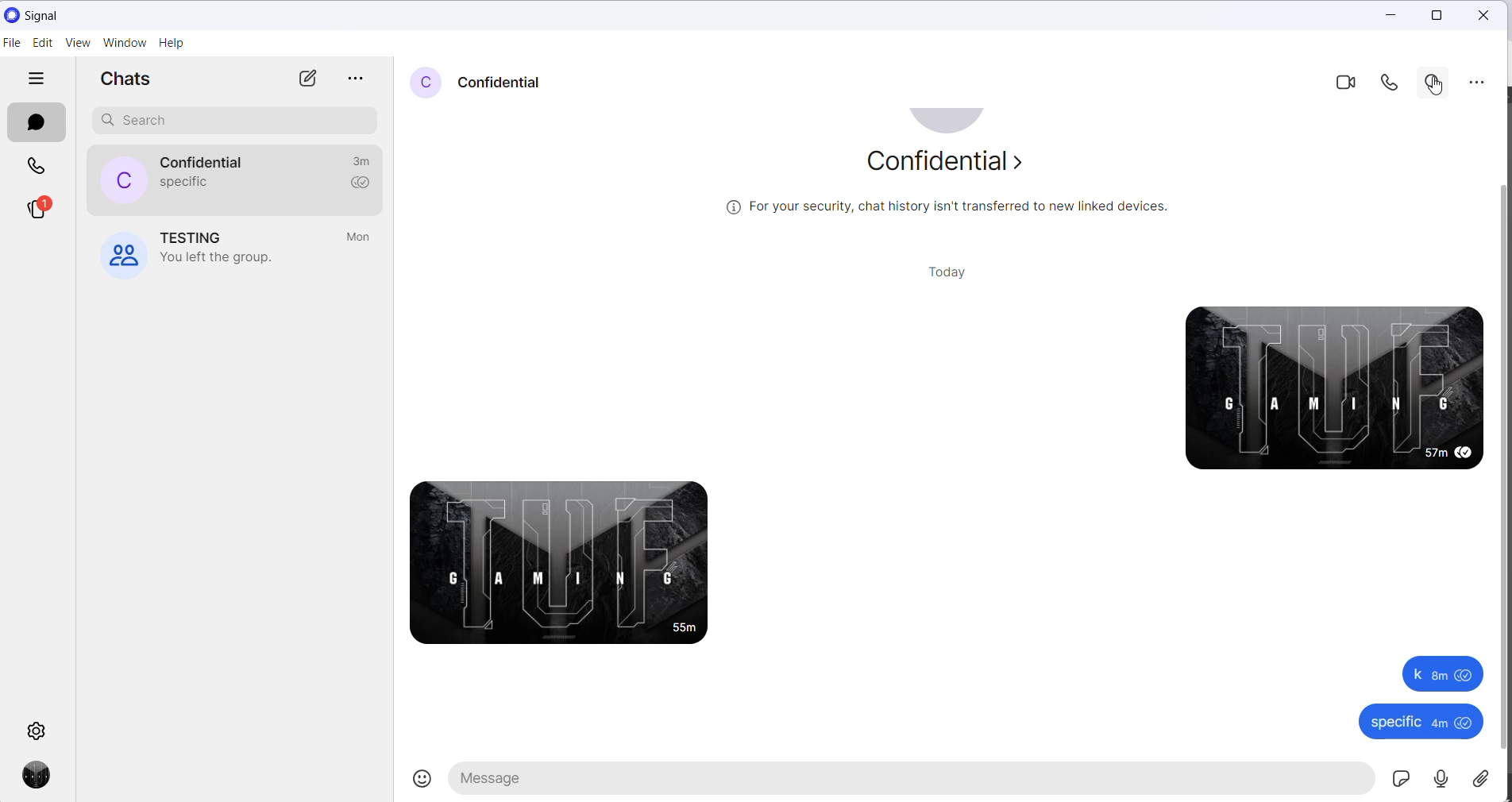  I want to click on new chats, so click(304, 79).